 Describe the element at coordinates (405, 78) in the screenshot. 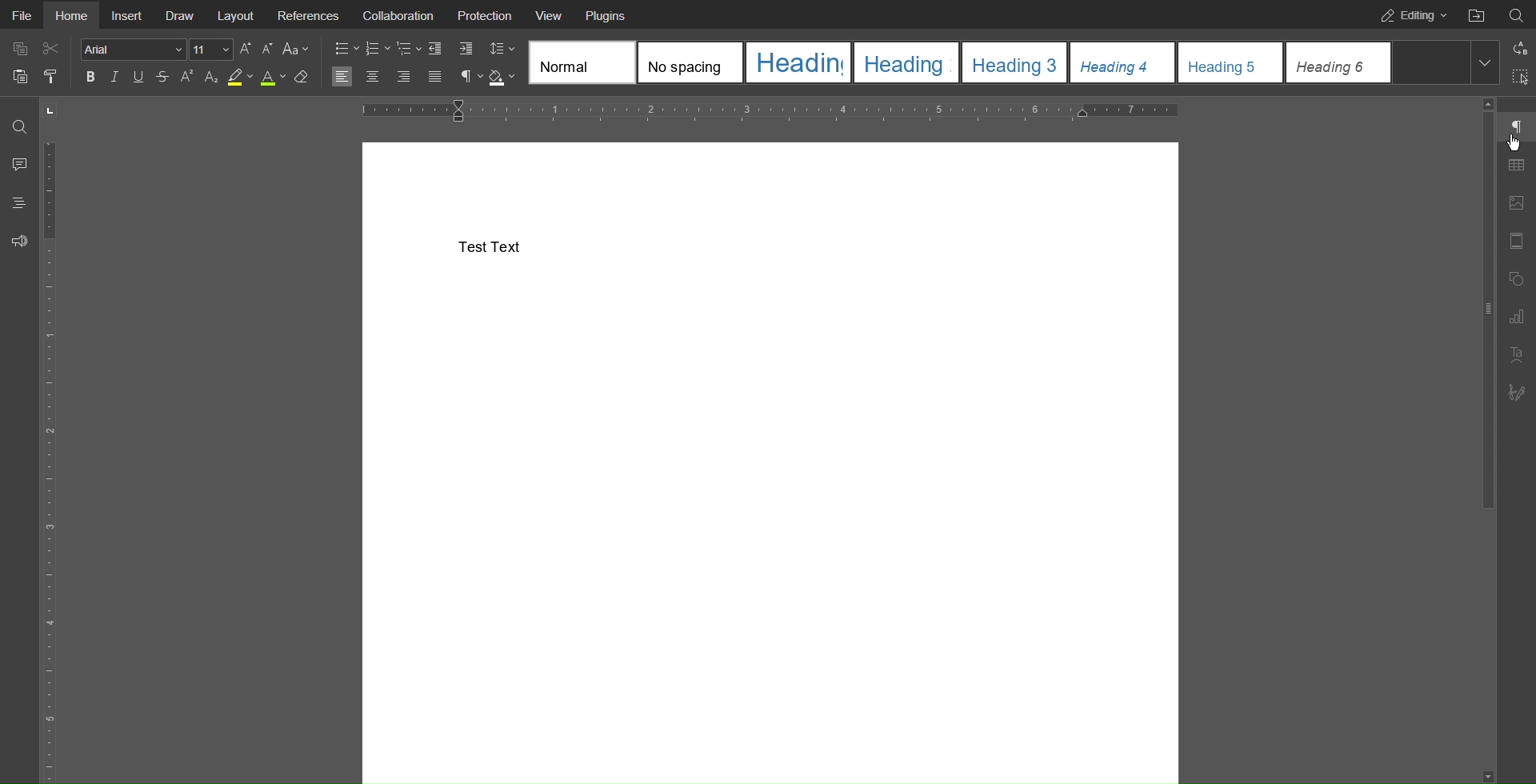

I see `Right Align` at that location.